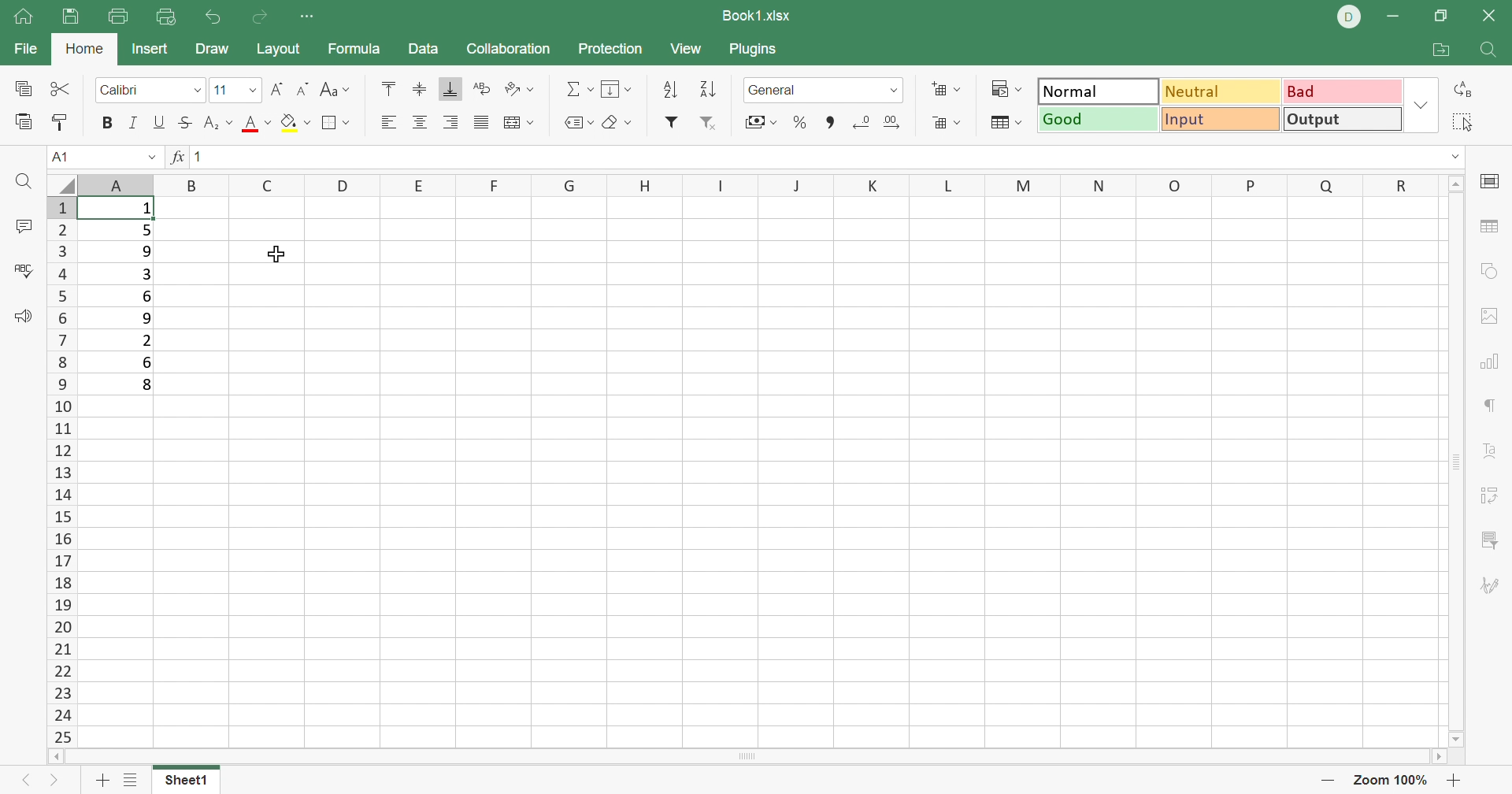  What do you see at coordinates (621, 124) in the screenshot?
I see `Clear` at bounding box center [621, 124].